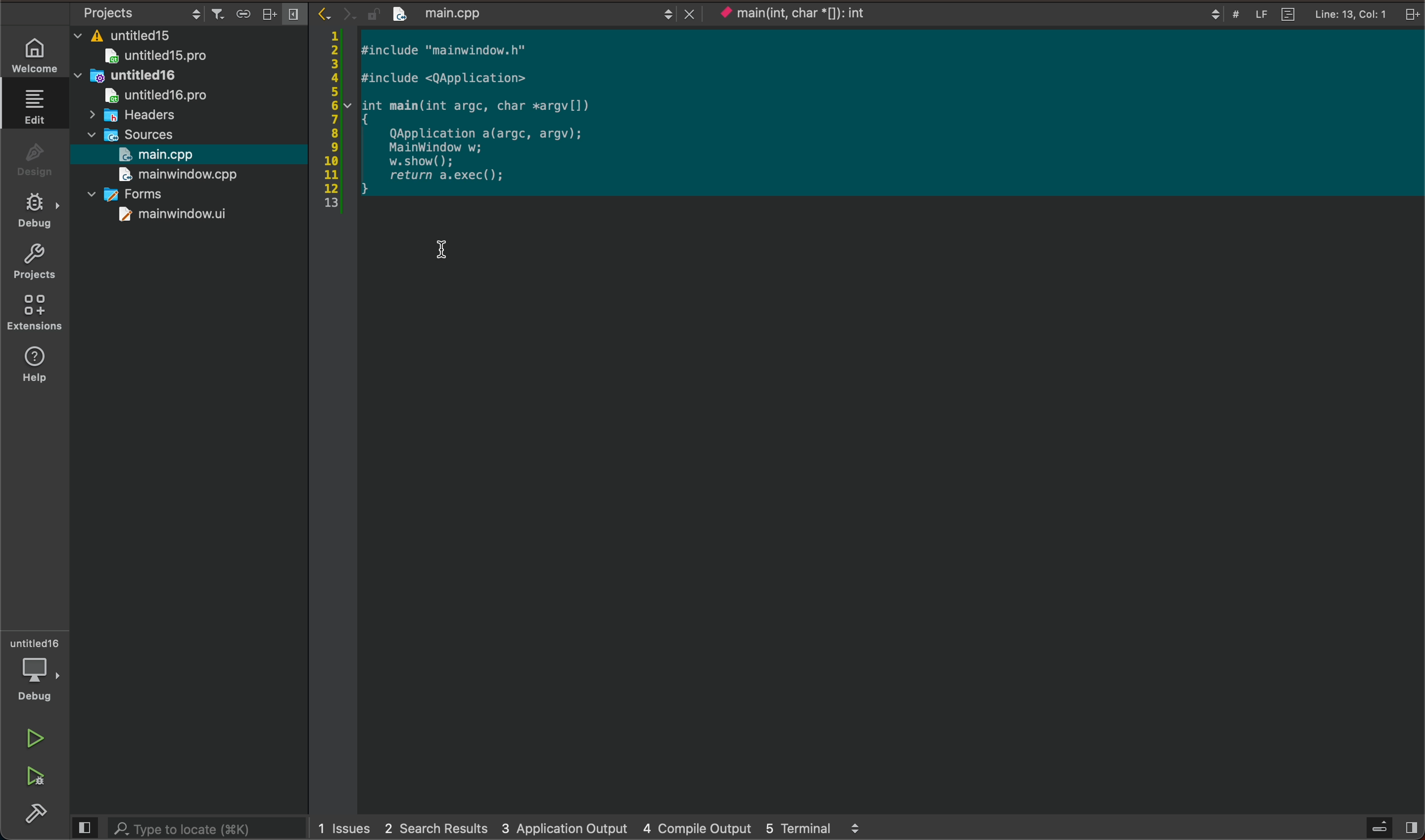 The width and height of the screenshot is (1425, 840). Describe the element at coordinates (683, 14) in the screenshot. I see `close` at that location.